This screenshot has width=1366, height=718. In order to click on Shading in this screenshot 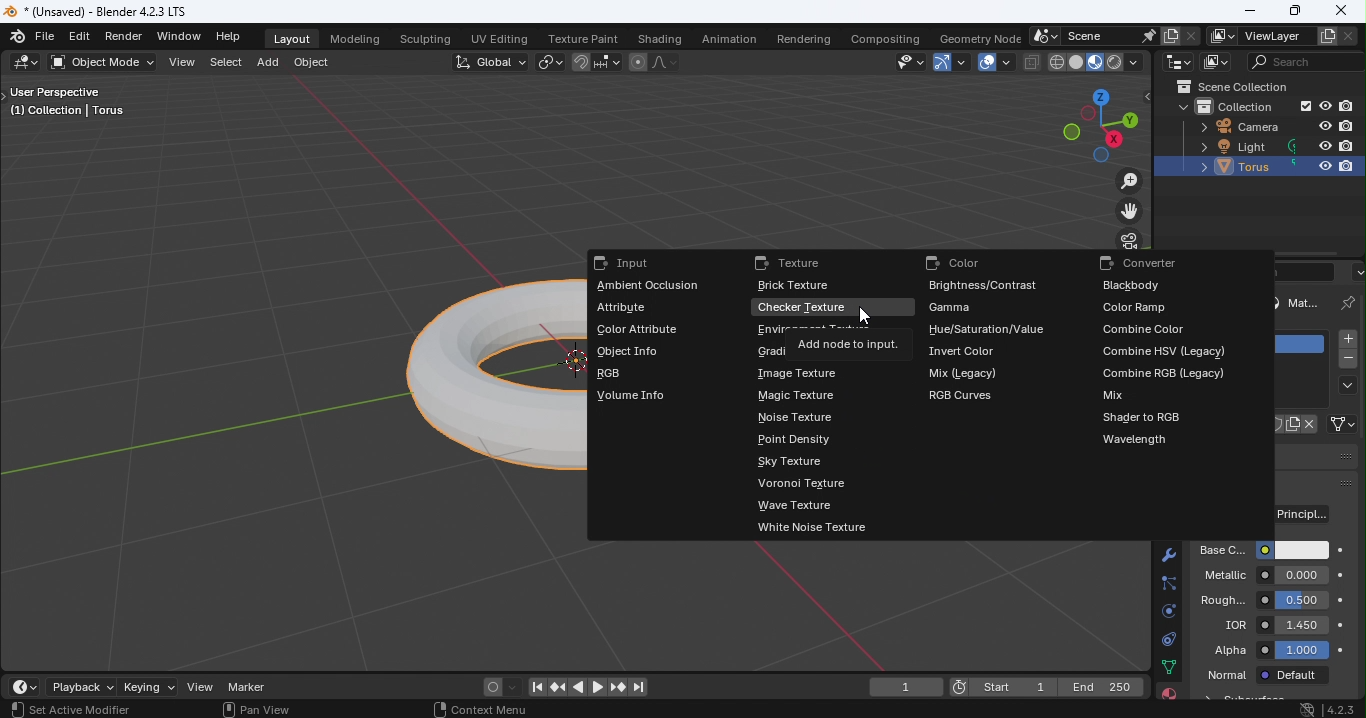, I will do `click(660, 37)`.